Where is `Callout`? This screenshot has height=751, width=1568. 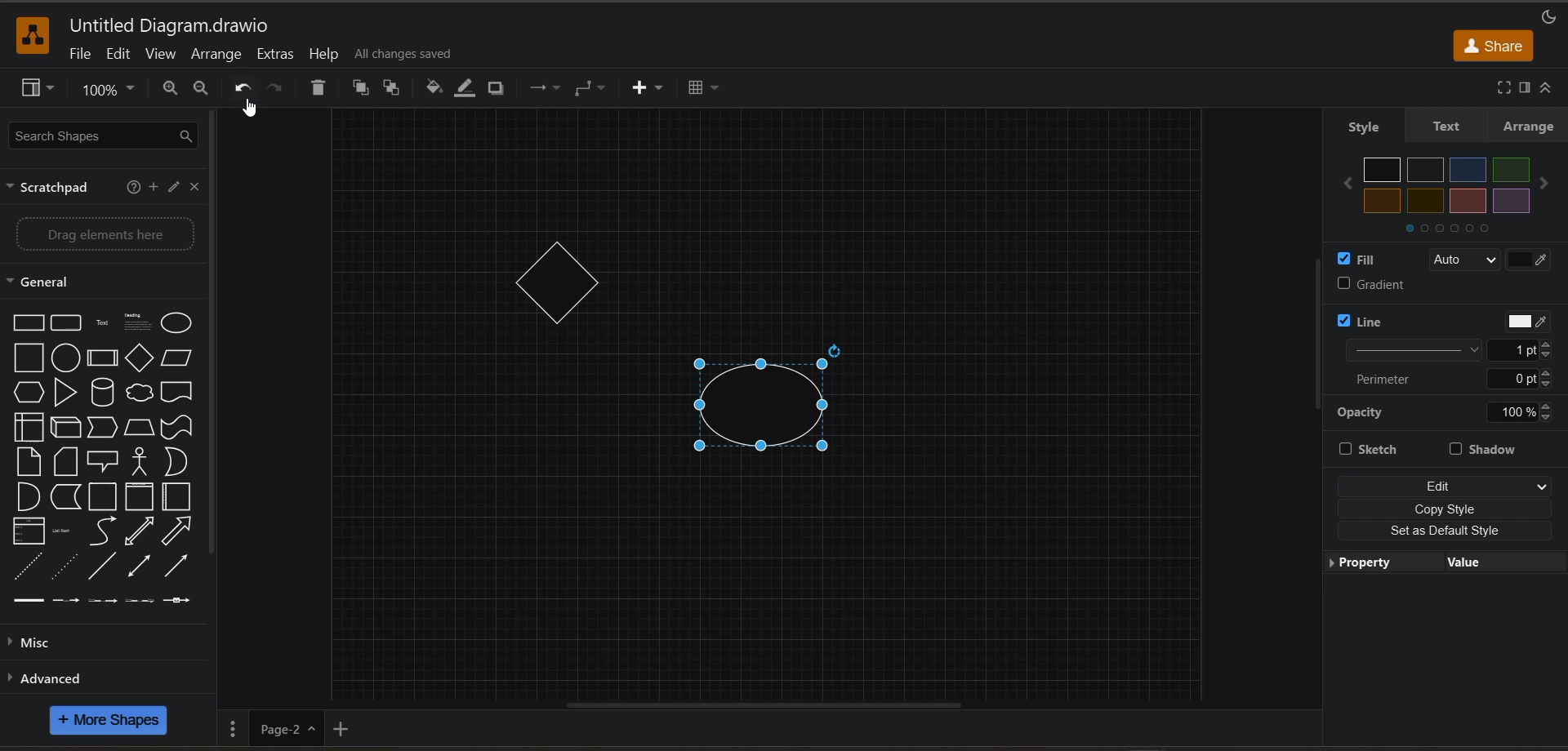
Callout is located at coordinates (103, 461).